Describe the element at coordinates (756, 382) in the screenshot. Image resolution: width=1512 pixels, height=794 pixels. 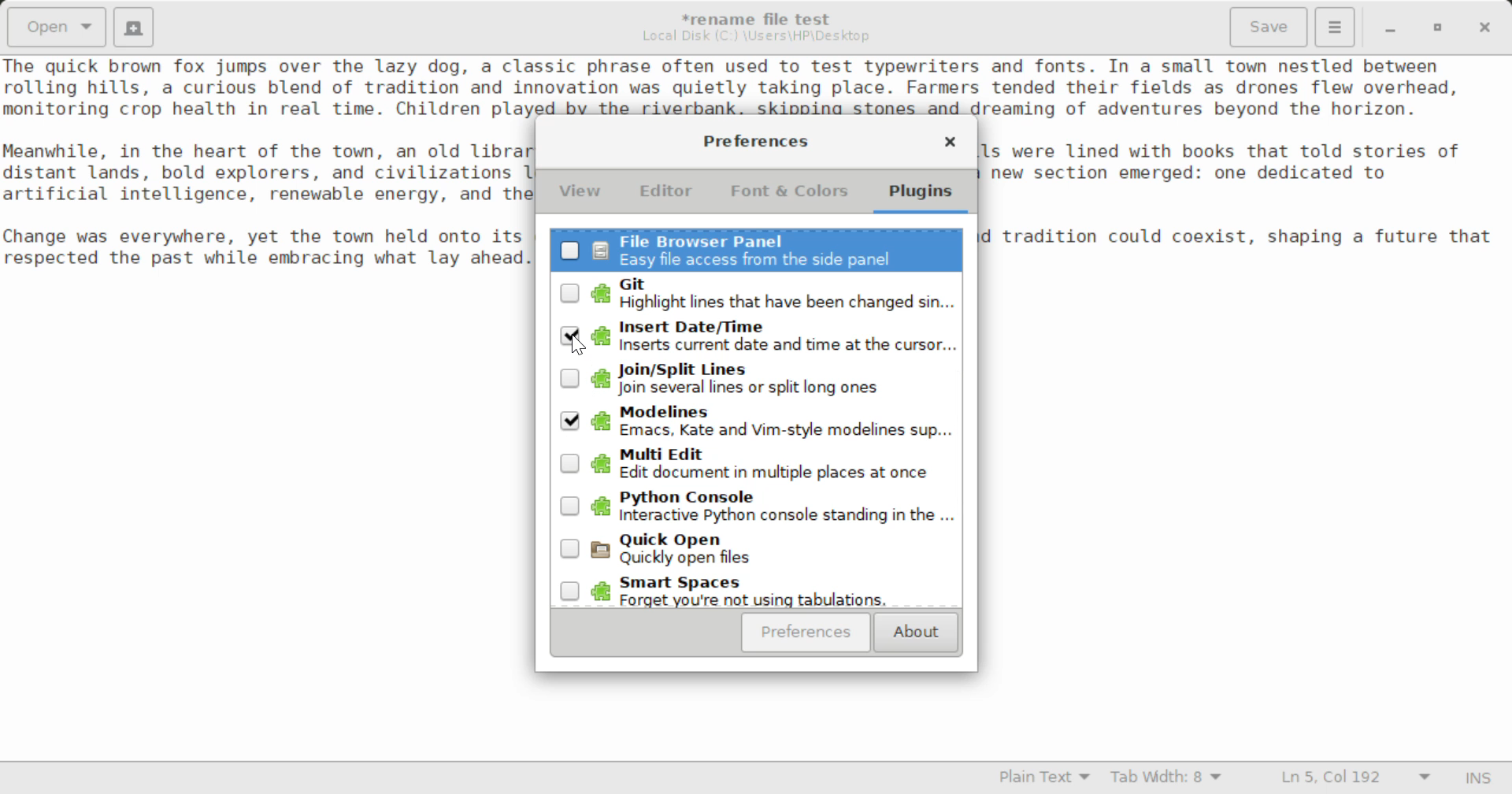
I see `Unselected Join/Split Lines Plugin` at that location.